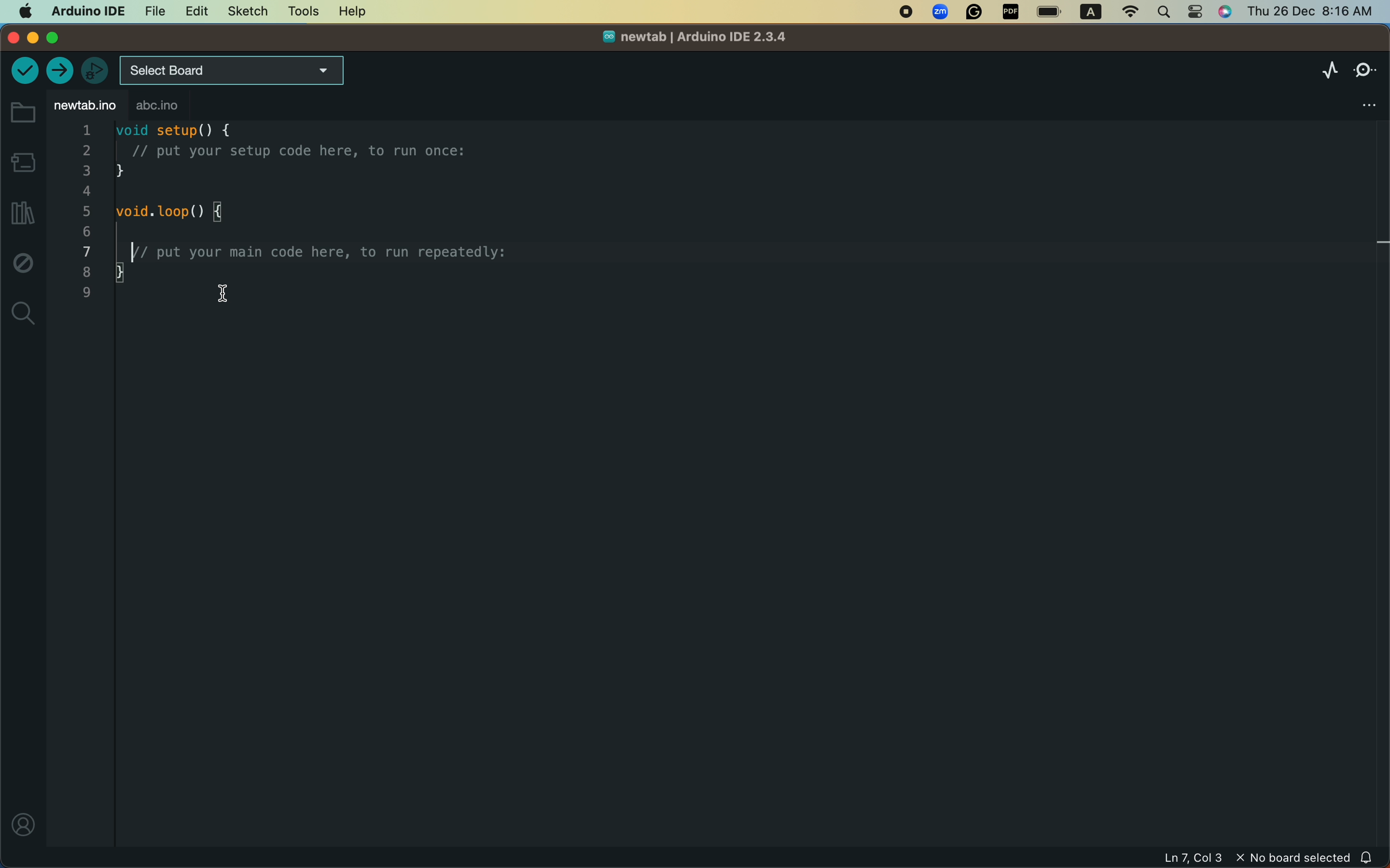  What do you see at coordinates (1206, 858) in the screenshot?
I see `file information` at bounding box center [1206, 858].